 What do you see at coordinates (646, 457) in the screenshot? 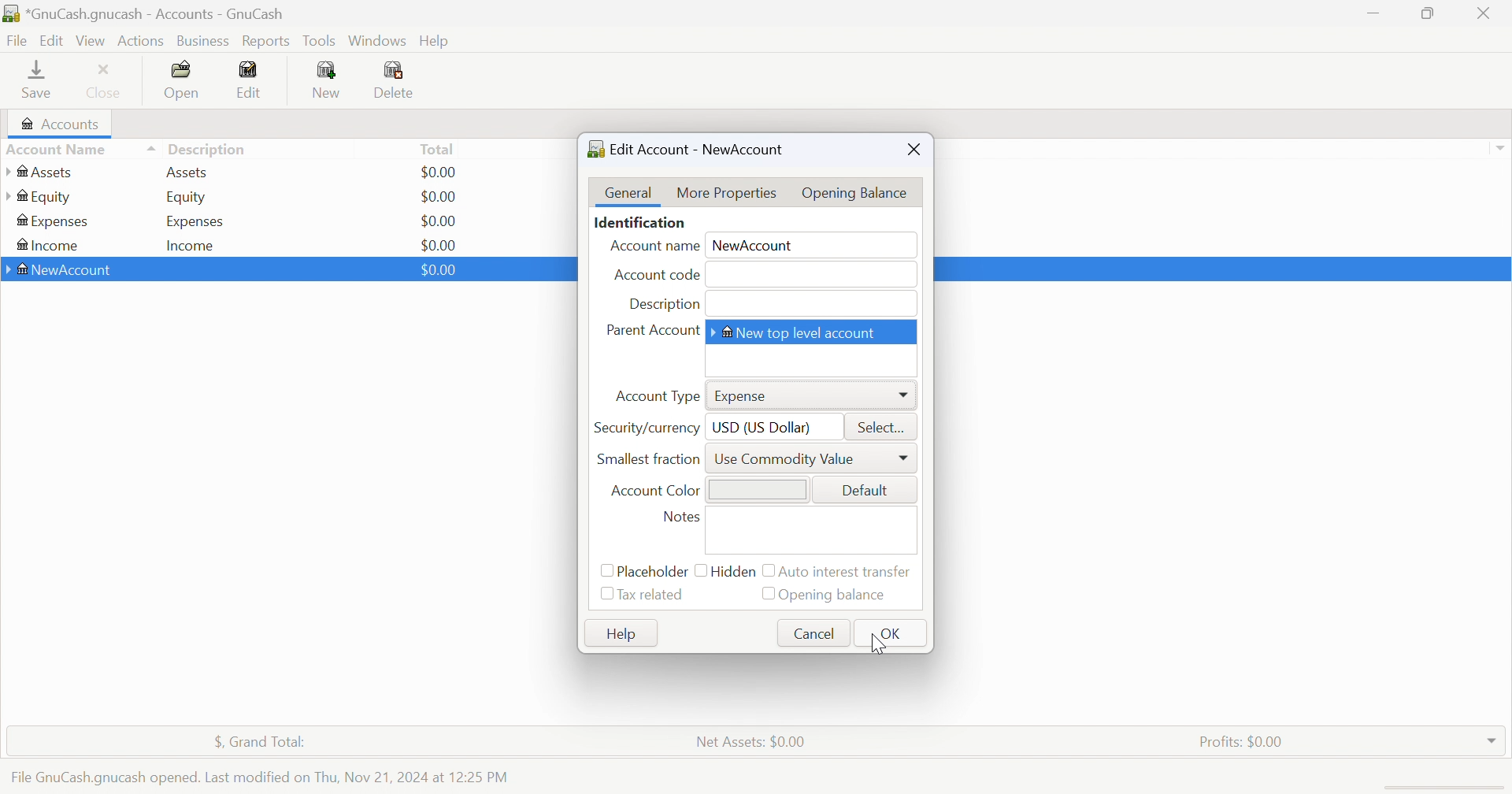
I see `Smallest fraction` at bounding box center [646, 457].